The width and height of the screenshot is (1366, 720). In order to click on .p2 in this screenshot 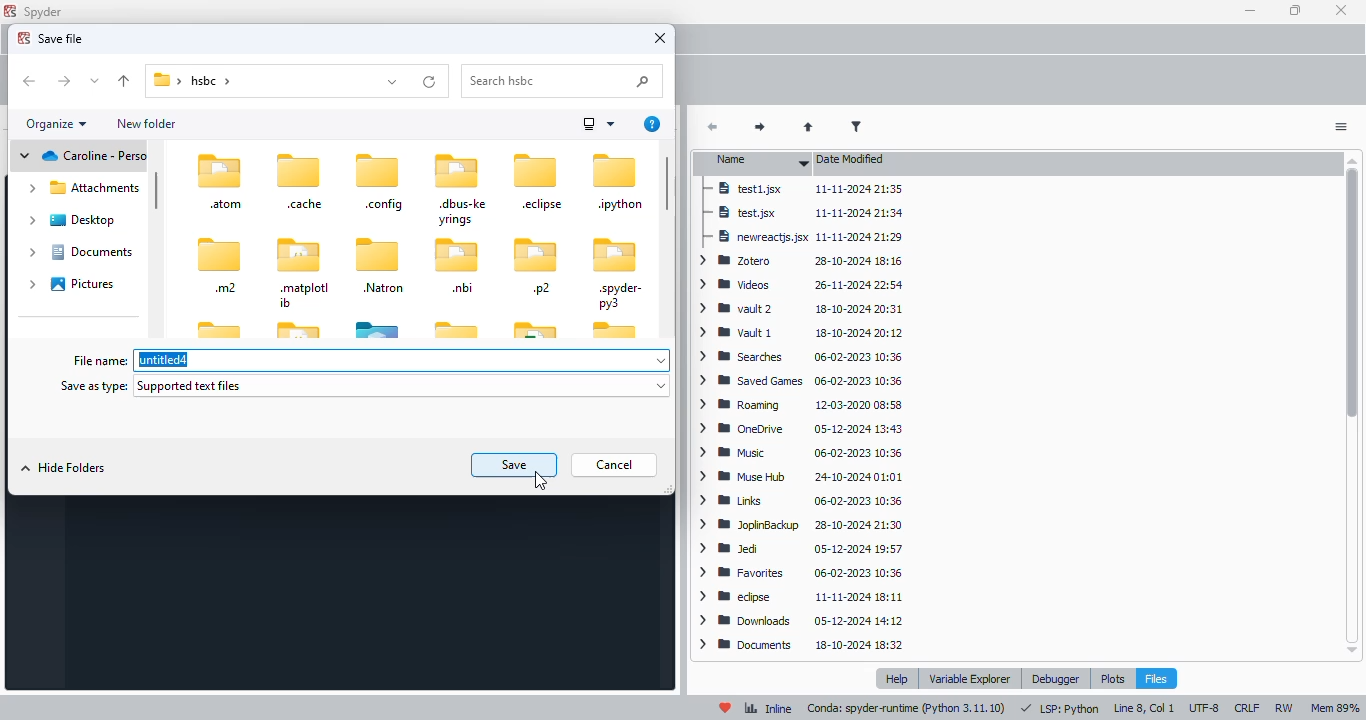, I will do `click(539, 265)`.